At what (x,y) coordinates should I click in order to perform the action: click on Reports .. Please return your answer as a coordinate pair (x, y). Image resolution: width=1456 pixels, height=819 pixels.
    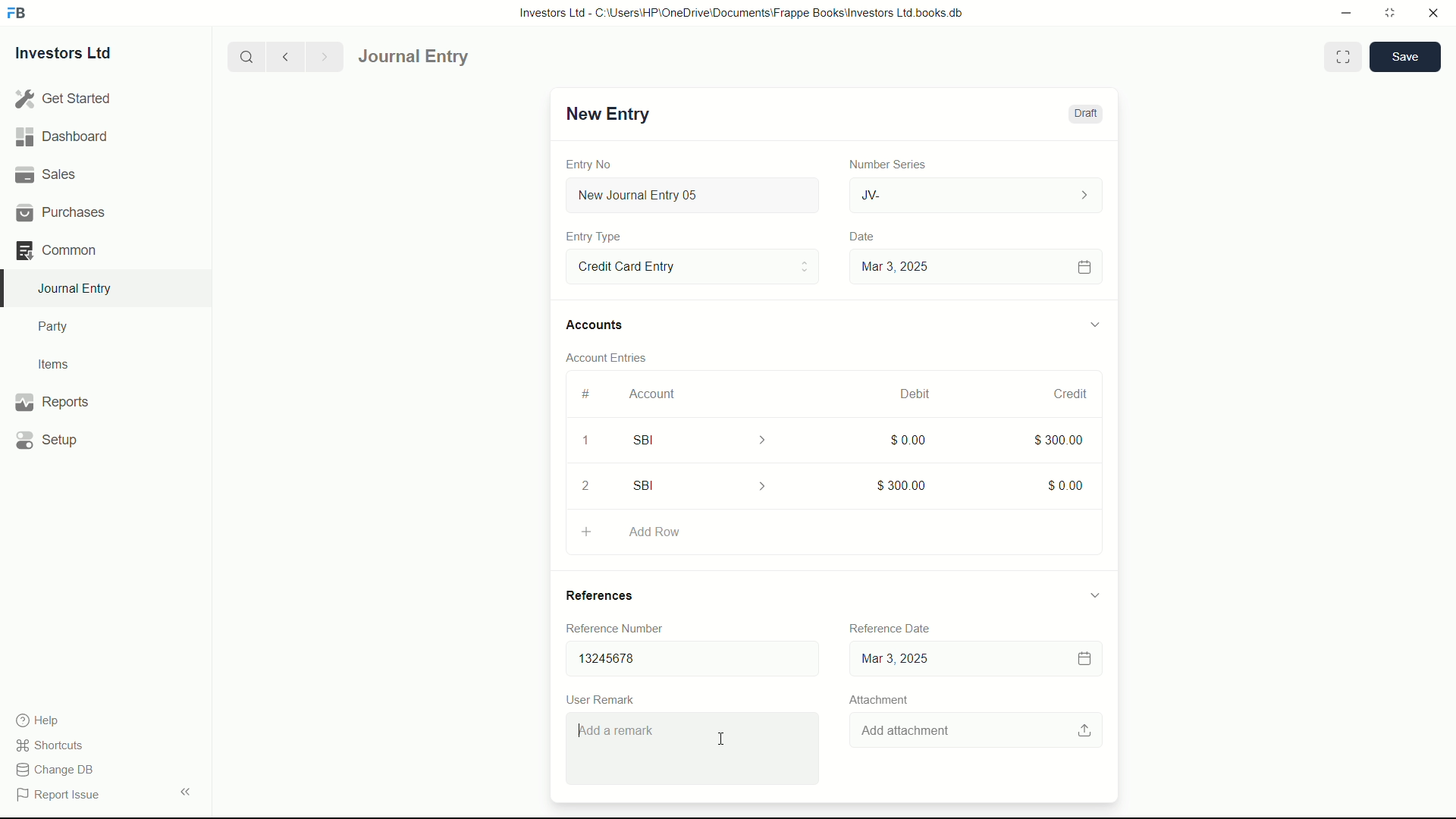
    Looking at the image, I should click on (52, 400).